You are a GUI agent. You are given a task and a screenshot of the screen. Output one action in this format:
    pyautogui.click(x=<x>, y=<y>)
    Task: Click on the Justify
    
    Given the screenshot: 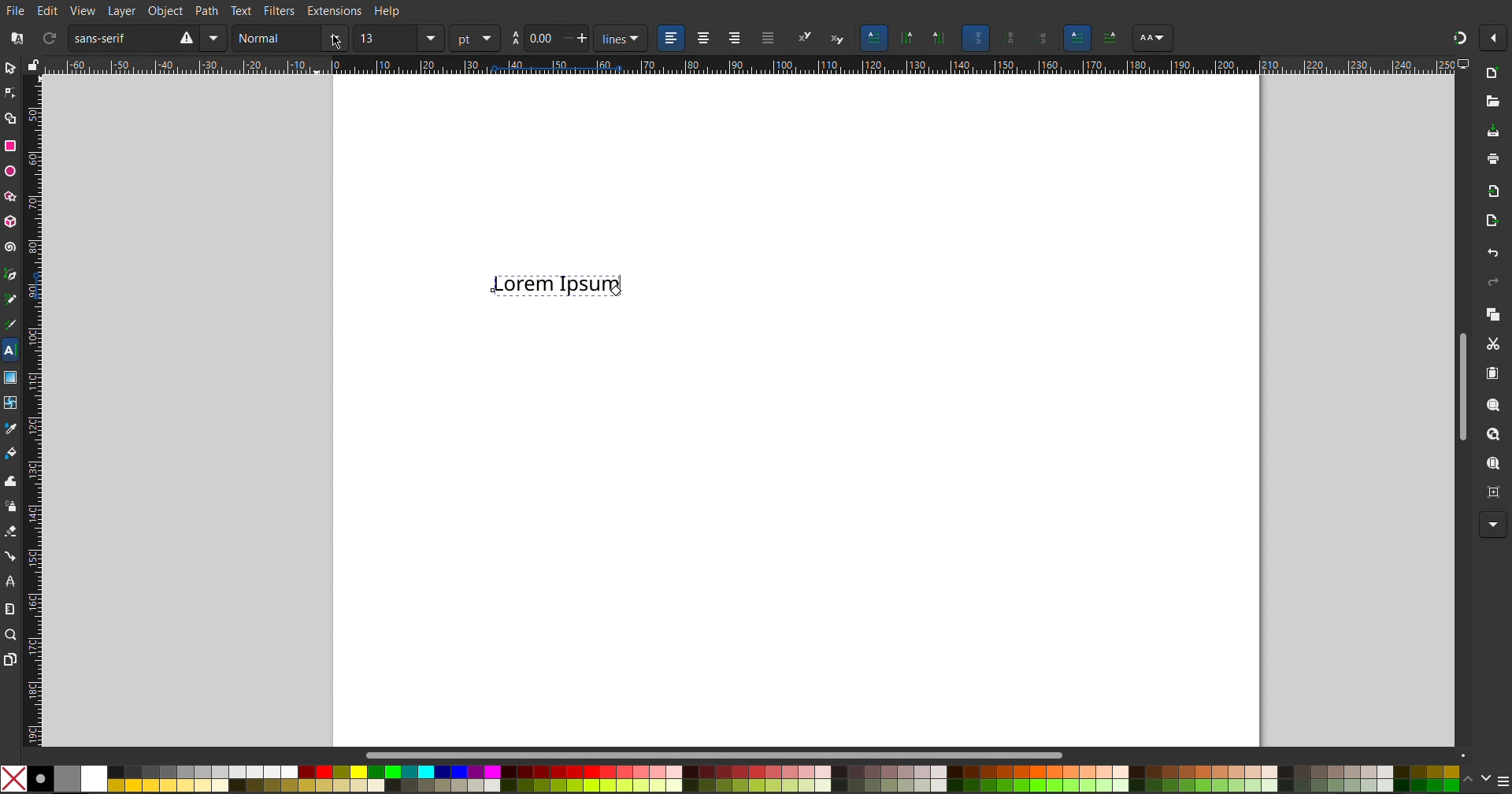 What is the action you would take?
    pyautogui.click(x=768, y=39)
    